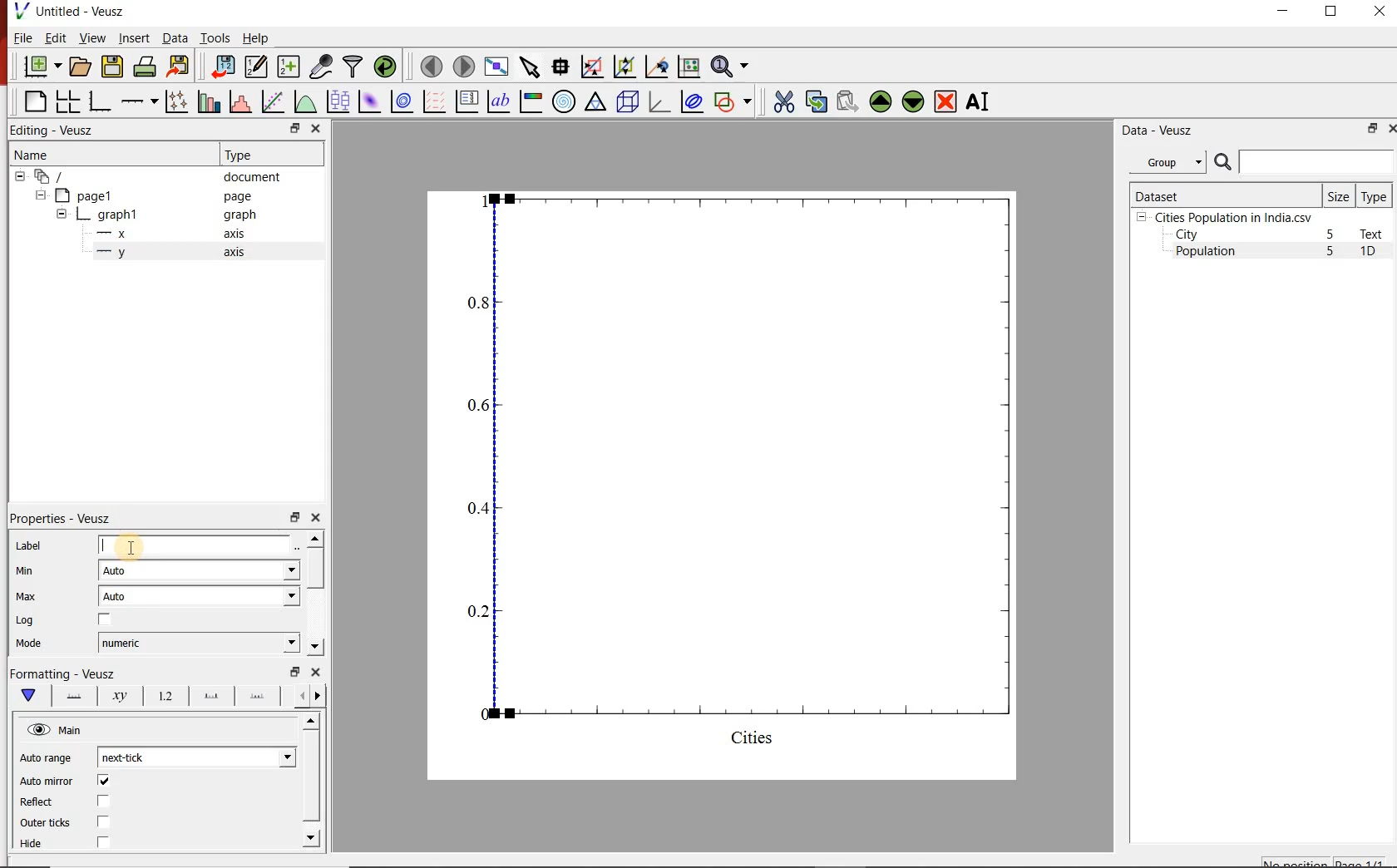  What do you see at coordinates (1167, 161) in the screenshot?
I see `Group datasets with property given` at bounding box center [1167, 161].